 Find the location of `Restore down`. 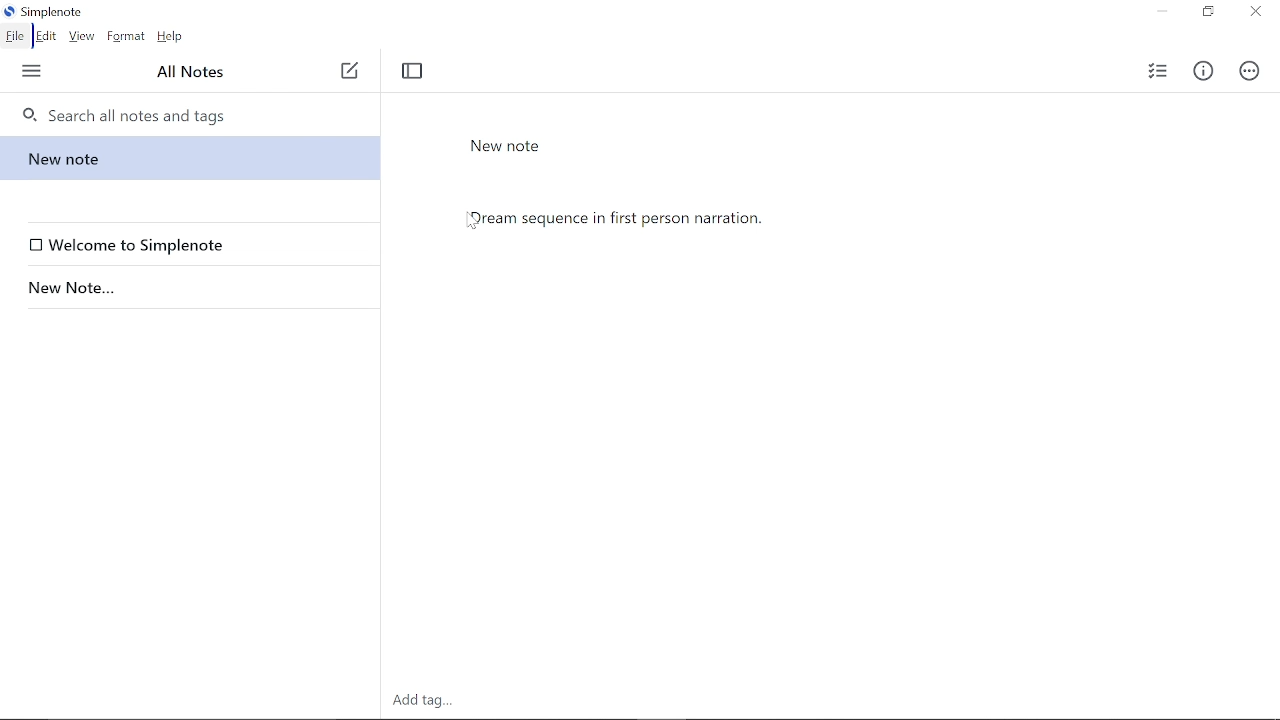

Restore down is located at coordinates (1207, 13).